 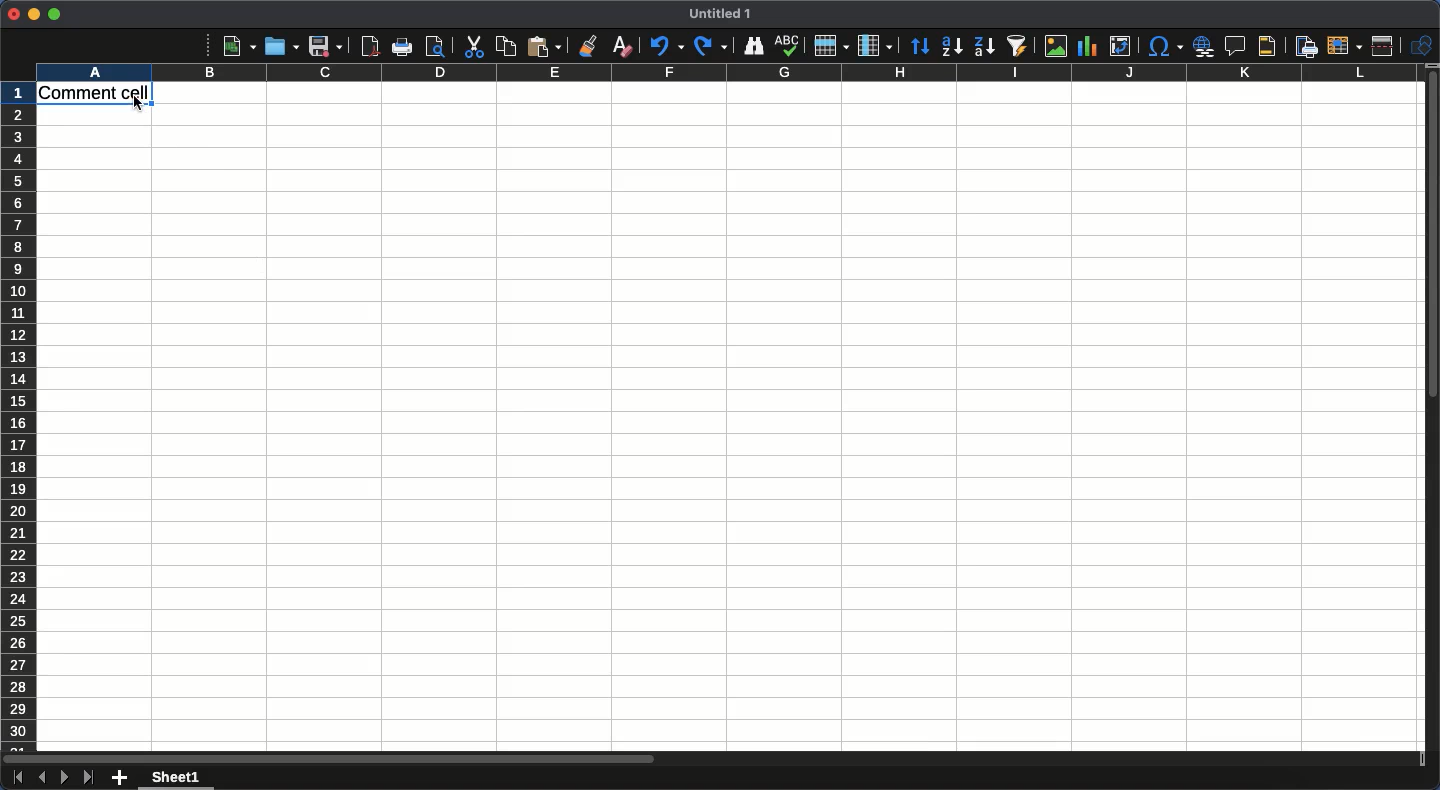 I want to click on Insert comment, so click(x=1236, y=44).